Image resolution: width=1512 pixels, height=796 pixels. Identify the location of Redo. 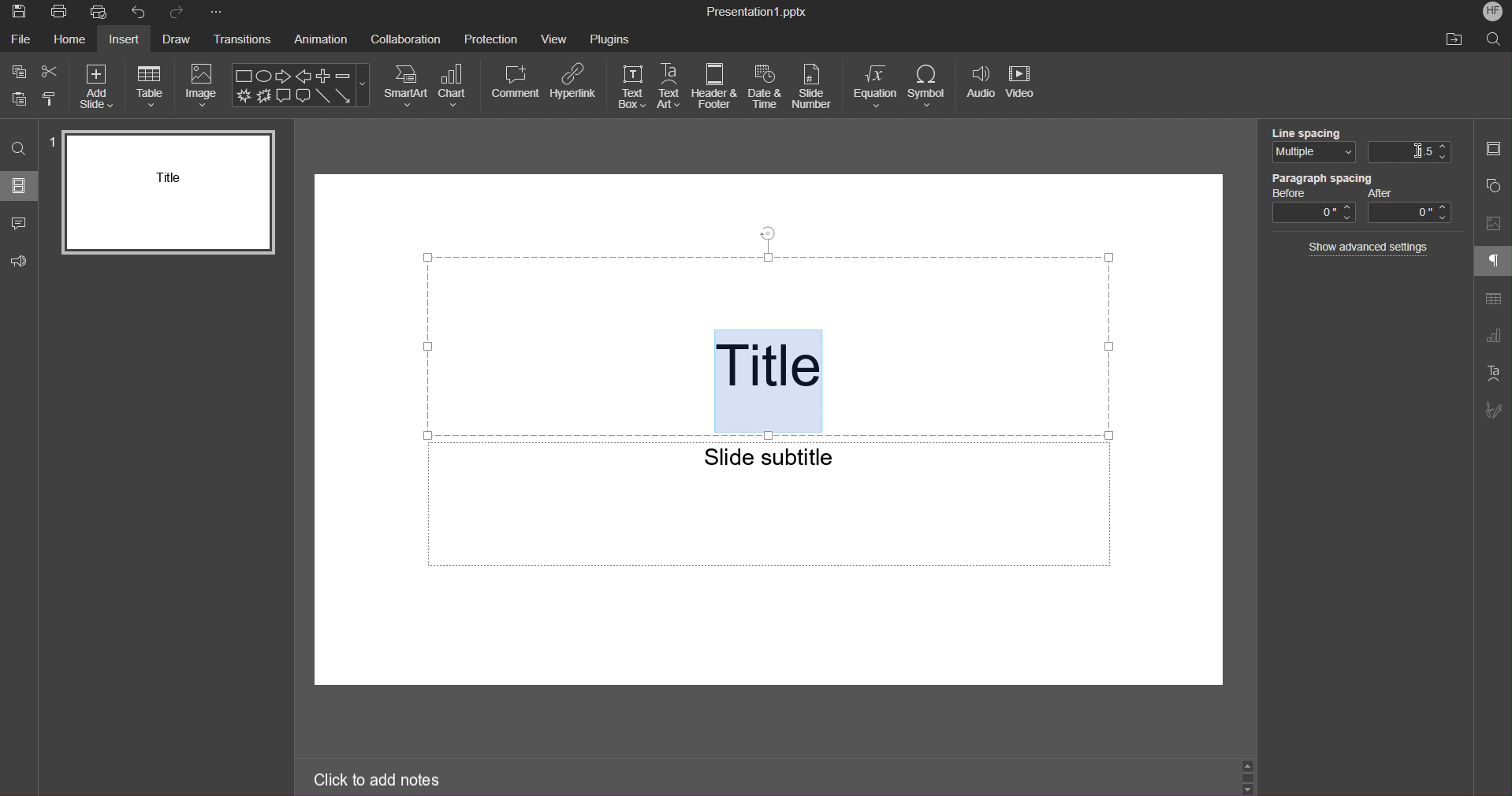
(180, 13).